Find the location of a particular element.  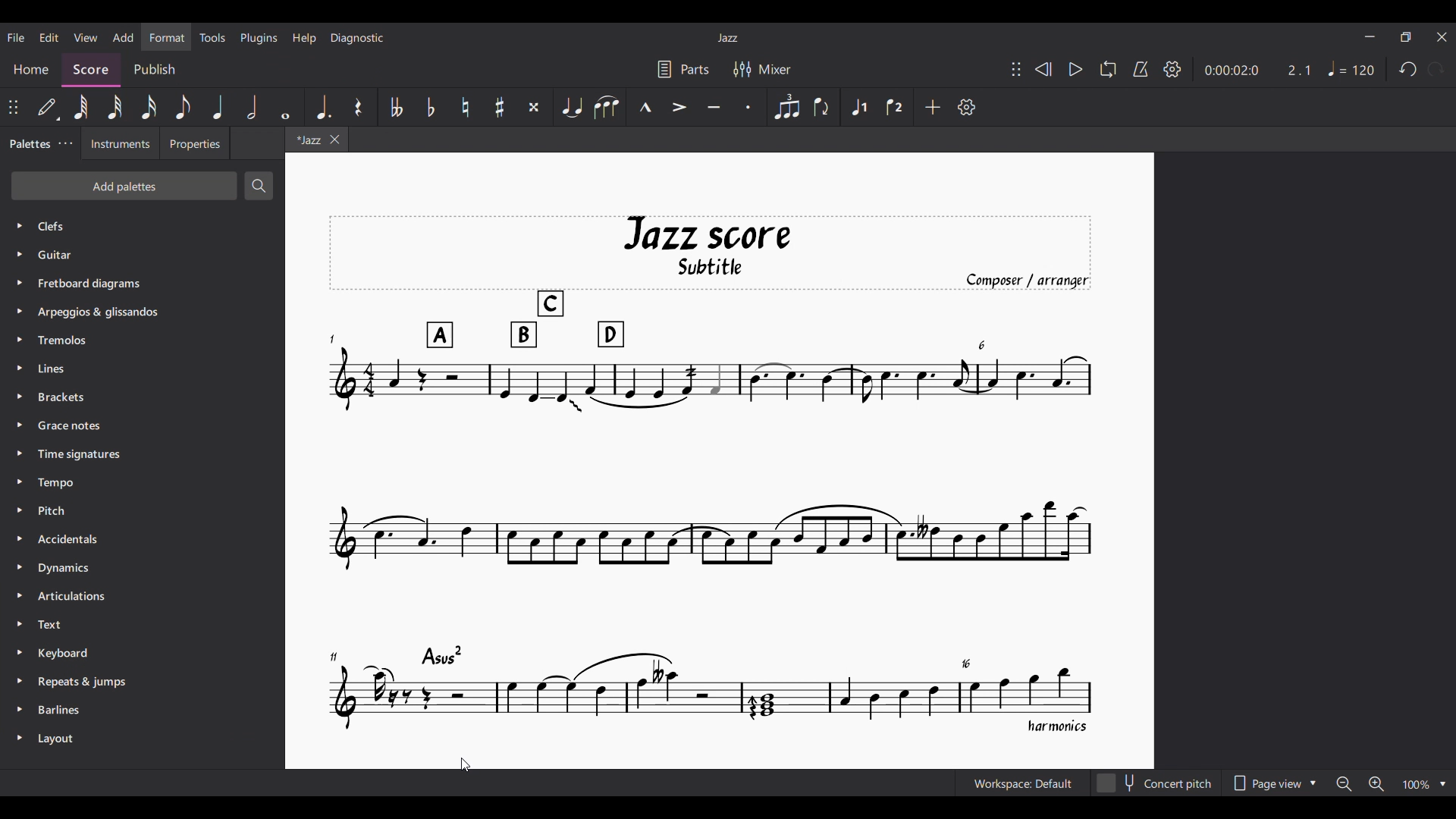

Tempo is located at coordinates (1351, 68).